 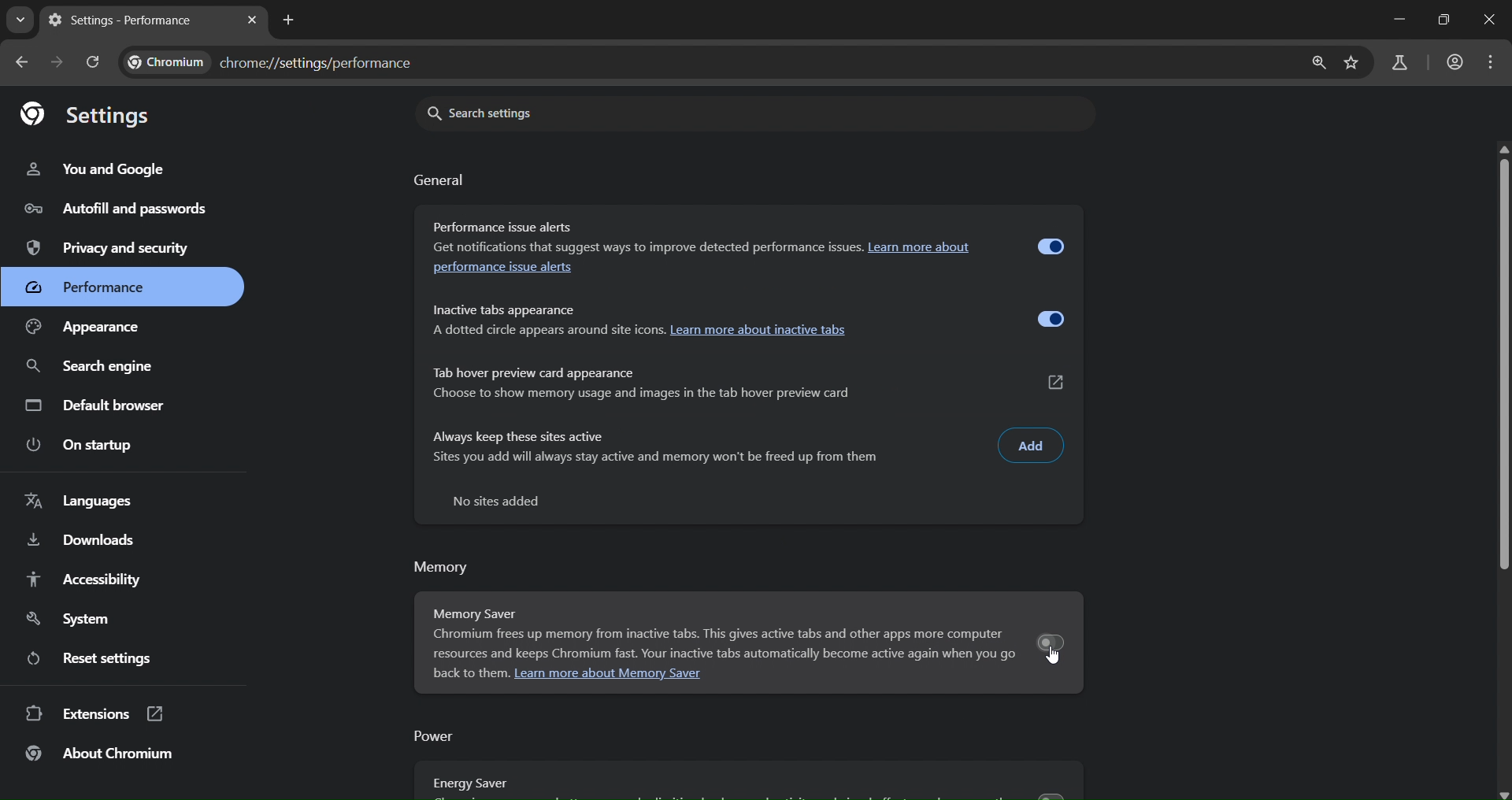 I want to click on toggle button, so click(x=1052, y=643).